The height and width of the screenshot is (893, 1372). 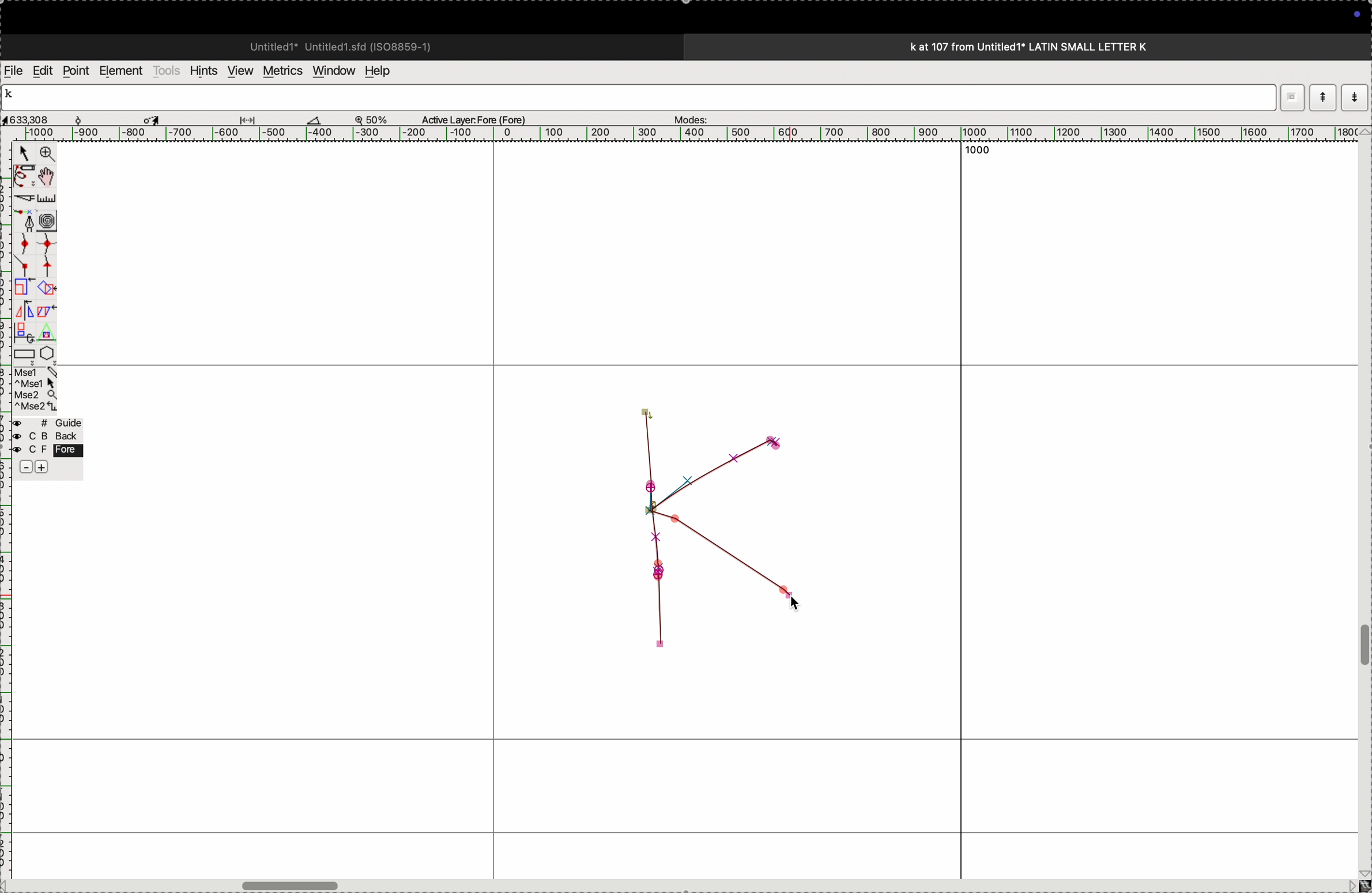 What do you see at coordinates (28, 221) in the screenshot?
I see `fountain pen` at bounding box center [28, 221].